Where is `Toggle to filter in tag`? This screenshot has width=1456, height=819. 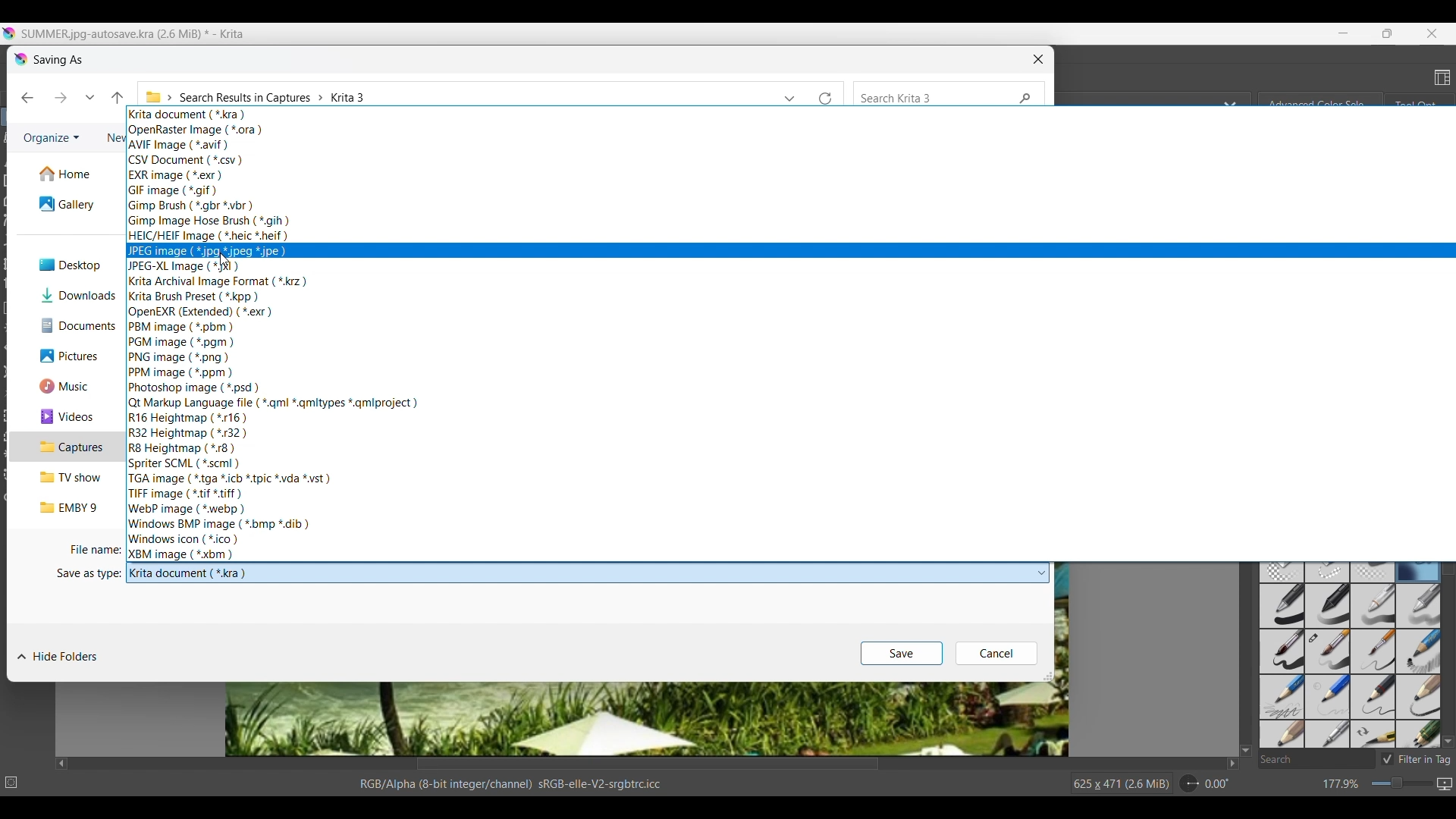
Toggle to filter in tag is located at coordinates (1416, 759).